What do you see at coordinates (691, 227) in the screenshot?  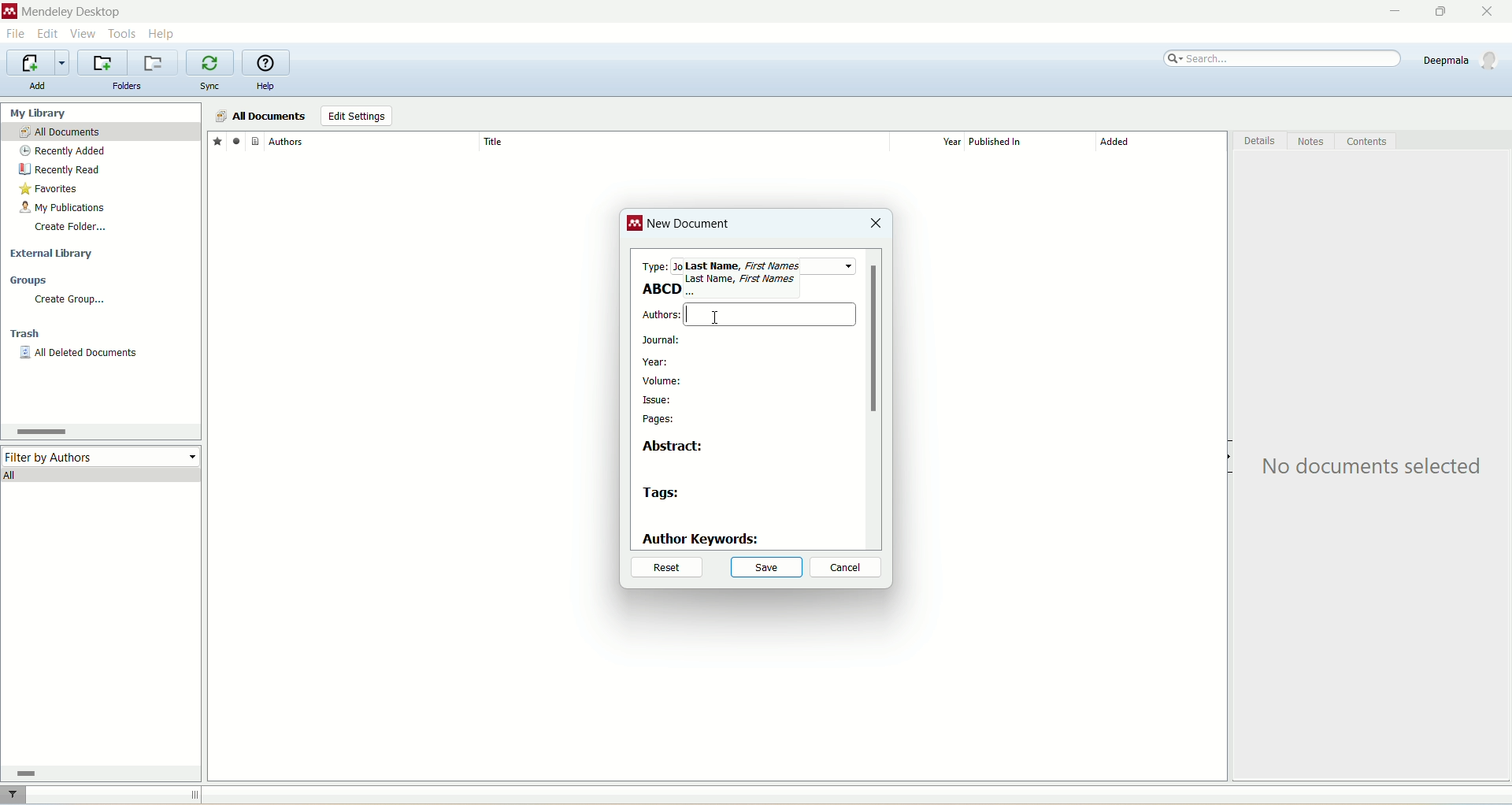 I see `new document` at bounding box center [691, 227].